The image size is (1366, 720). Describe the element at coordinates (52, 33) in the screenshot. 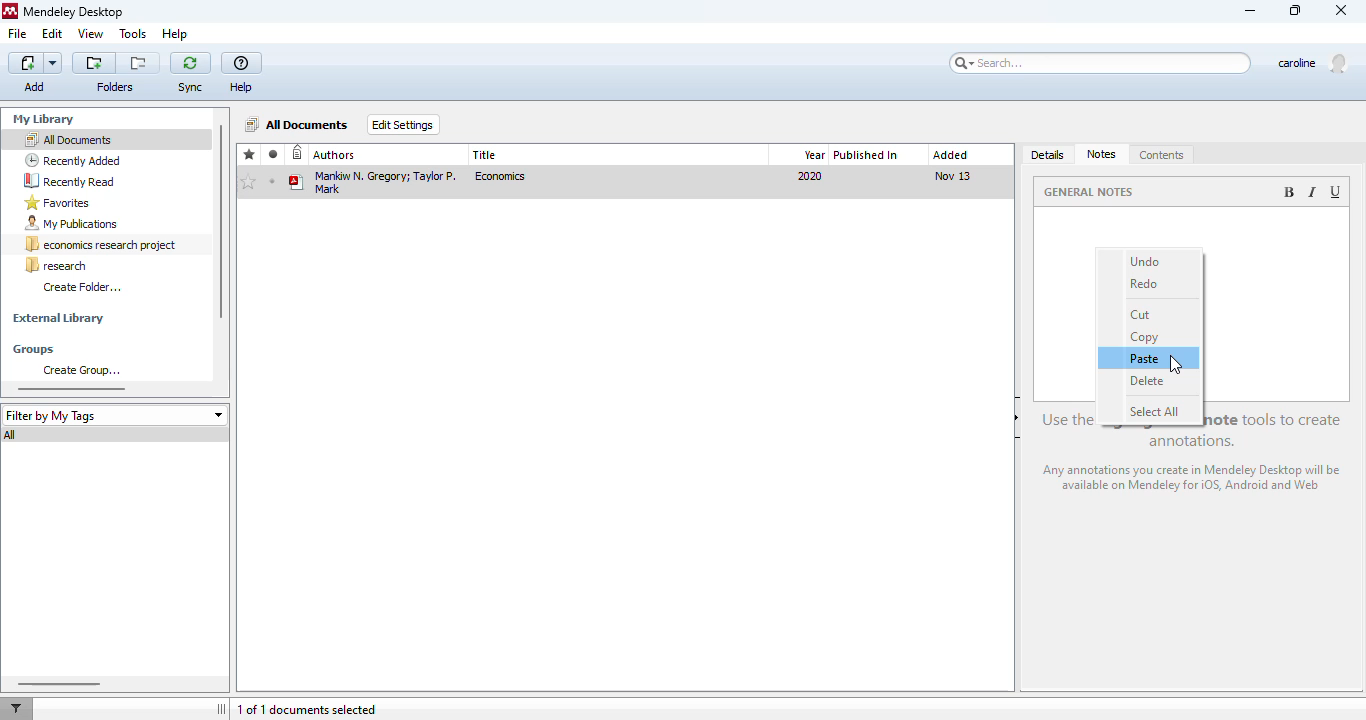

I see `edit` at that location.